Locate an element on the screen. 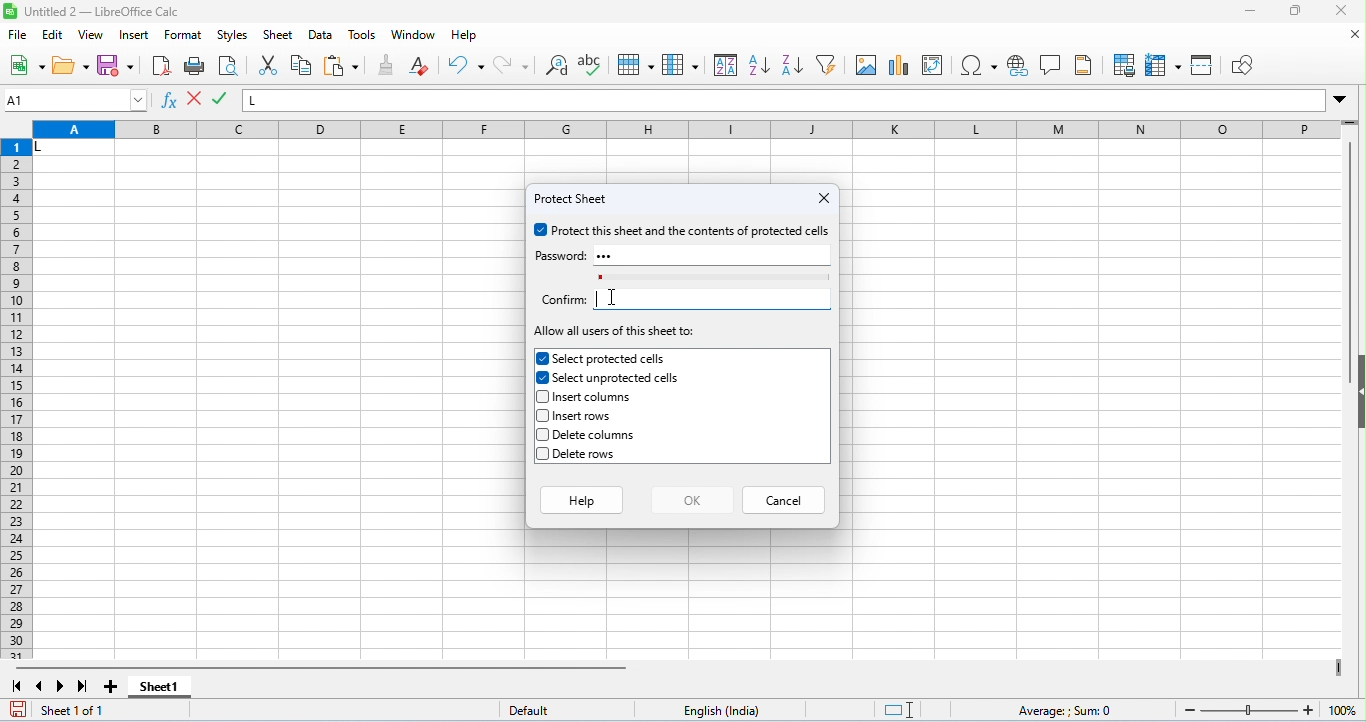 The width and height of the screenshot is (1366, 722). protect this sheet and the contents of protected cells is located at coordinates (683, 231).